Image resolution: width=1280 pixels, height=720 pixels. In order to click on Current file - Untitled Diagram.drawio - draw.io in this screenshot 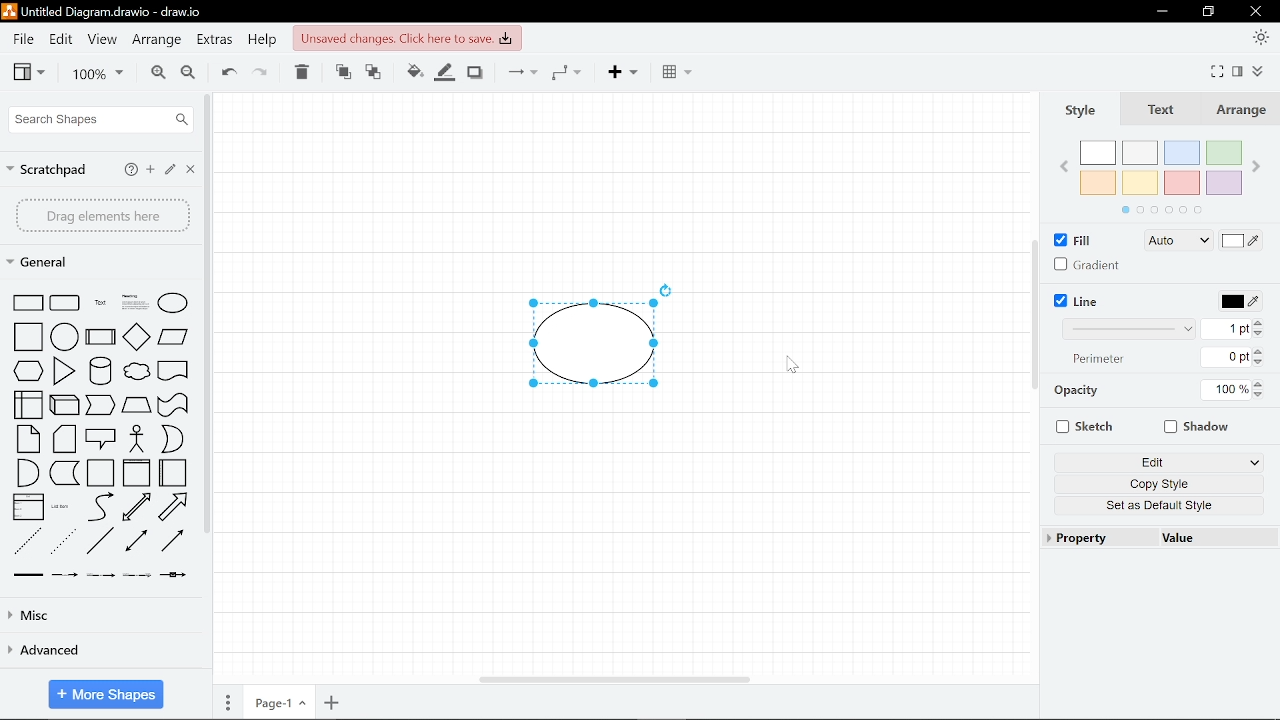, I will do `click(109, 11)`.